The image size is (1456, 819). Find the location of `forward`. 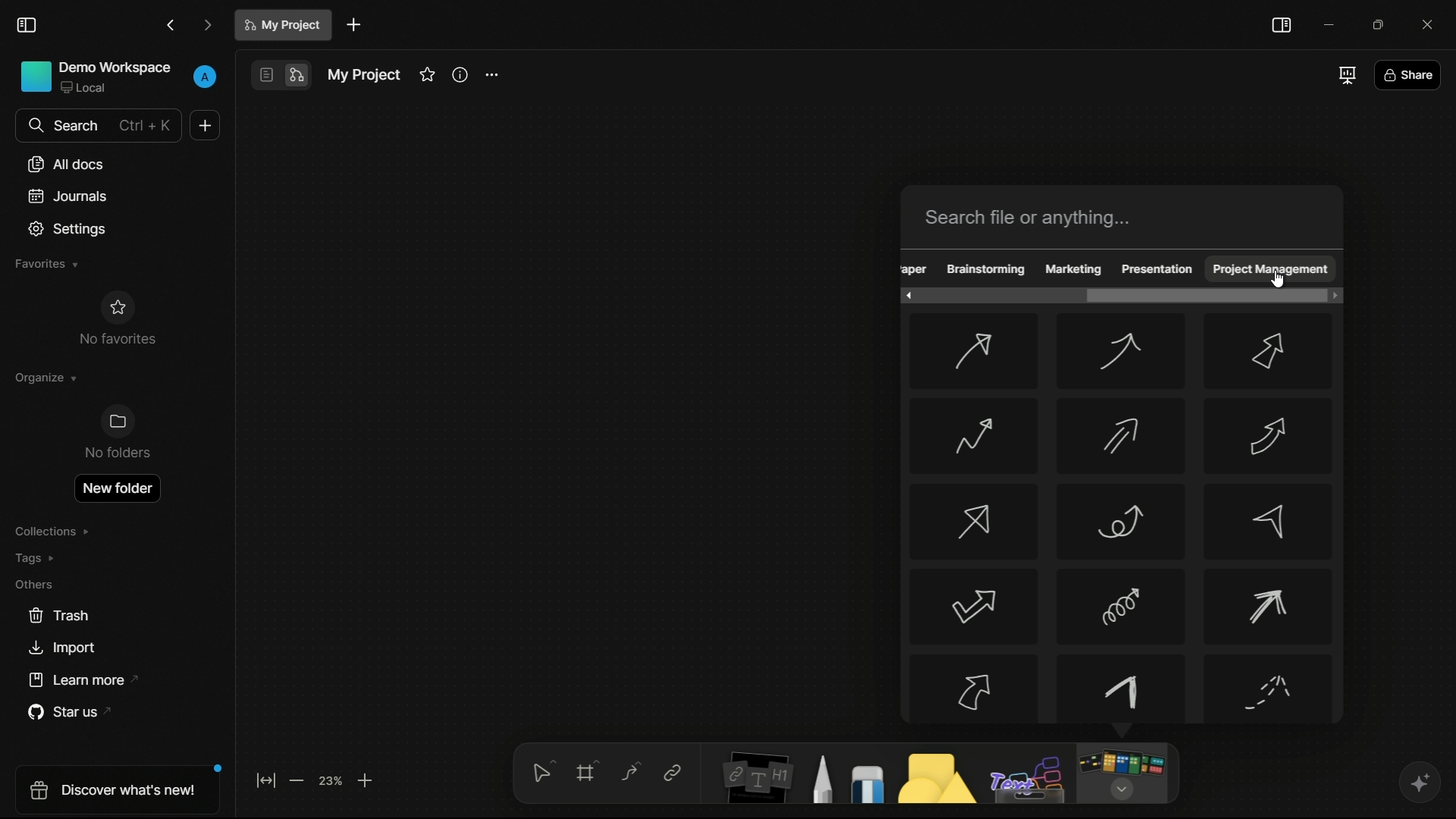

forward is located at coordinates (208, 27).